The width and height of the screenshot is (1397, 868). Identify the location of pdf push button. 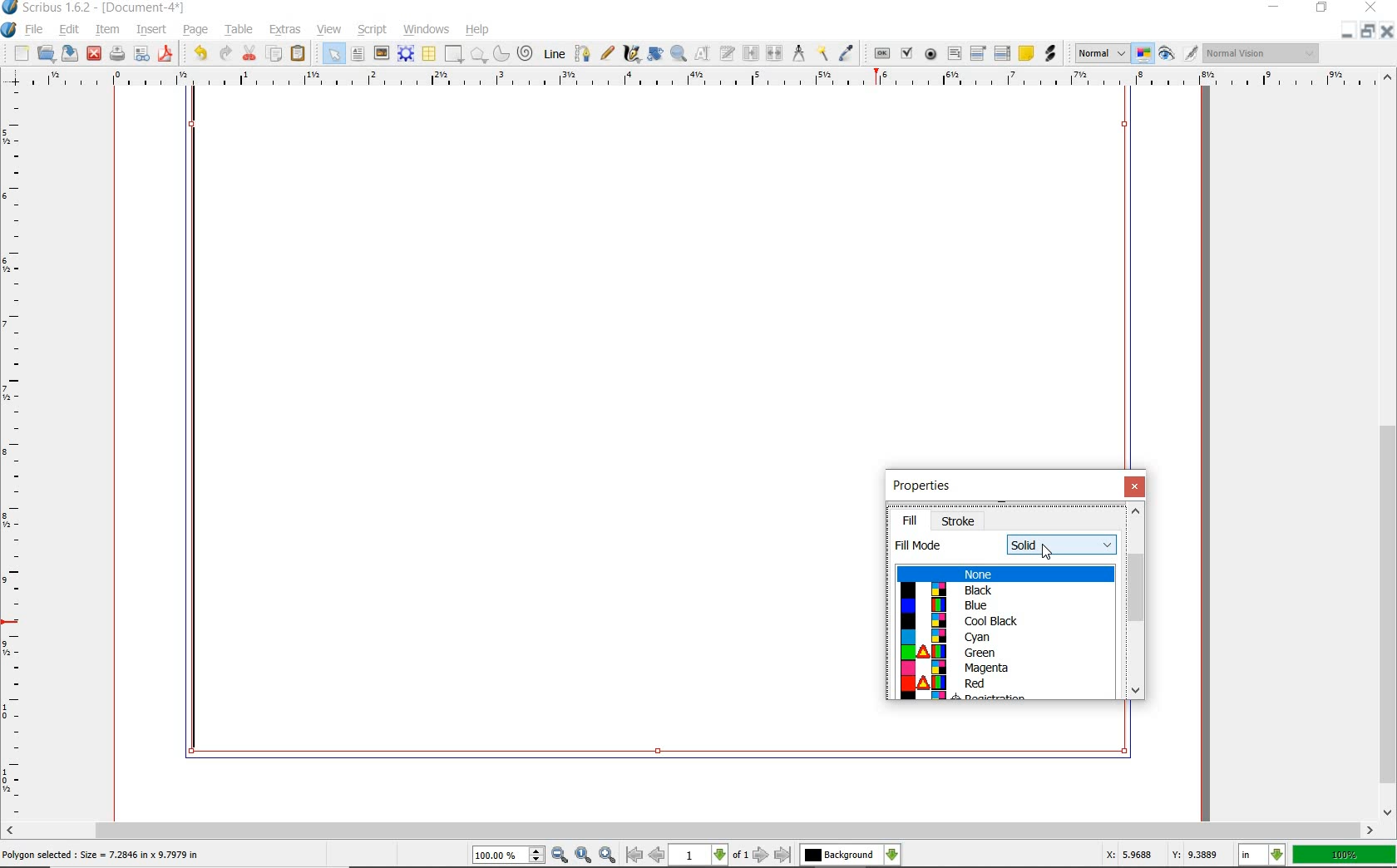
(879, 52).